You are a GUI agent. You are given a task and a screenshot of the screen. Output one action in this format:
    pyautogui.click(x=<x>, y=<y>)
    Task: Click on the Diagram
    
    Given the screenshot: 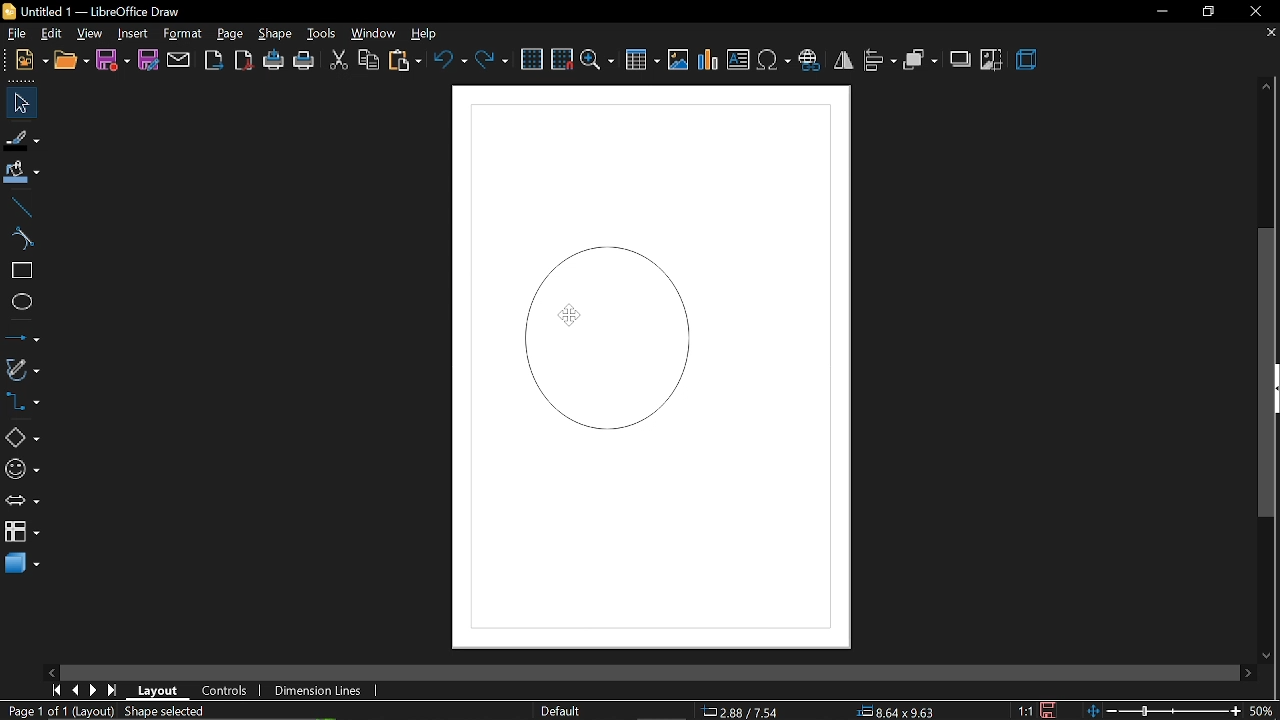 What is the action you would take?
    pyautogui.click(x=615, y=333)
    